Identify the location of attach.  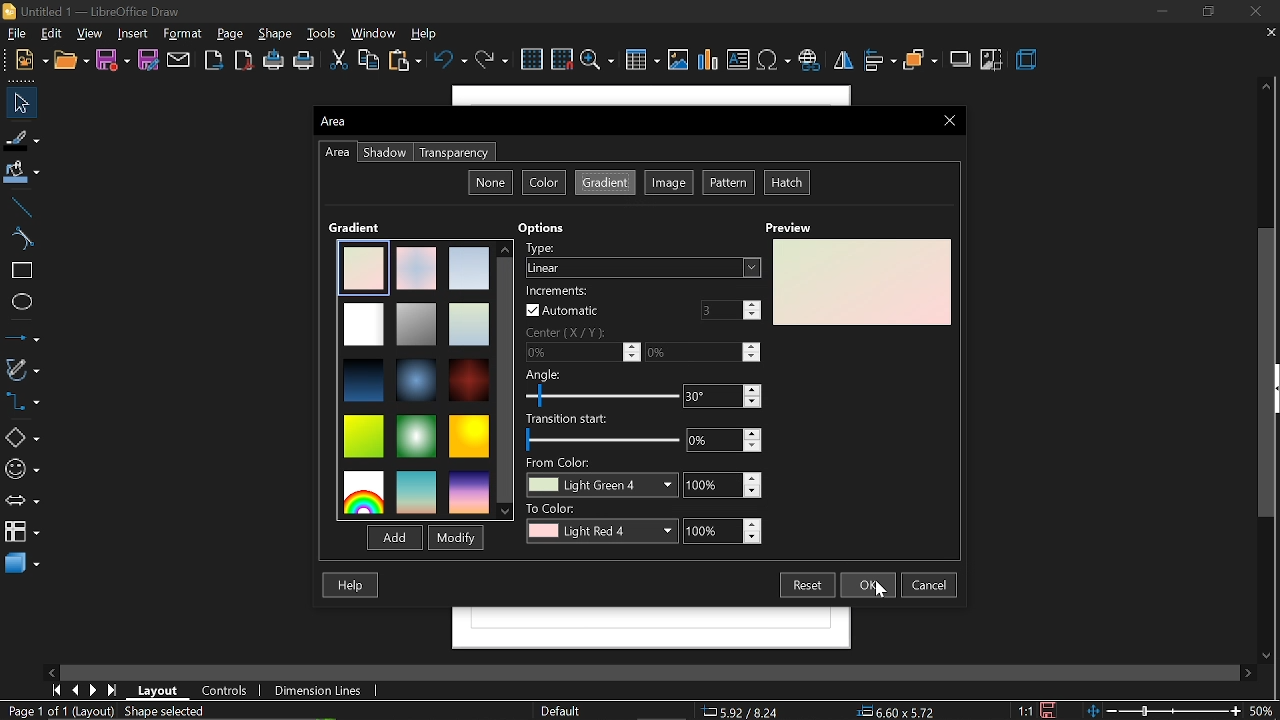
(181, 61).